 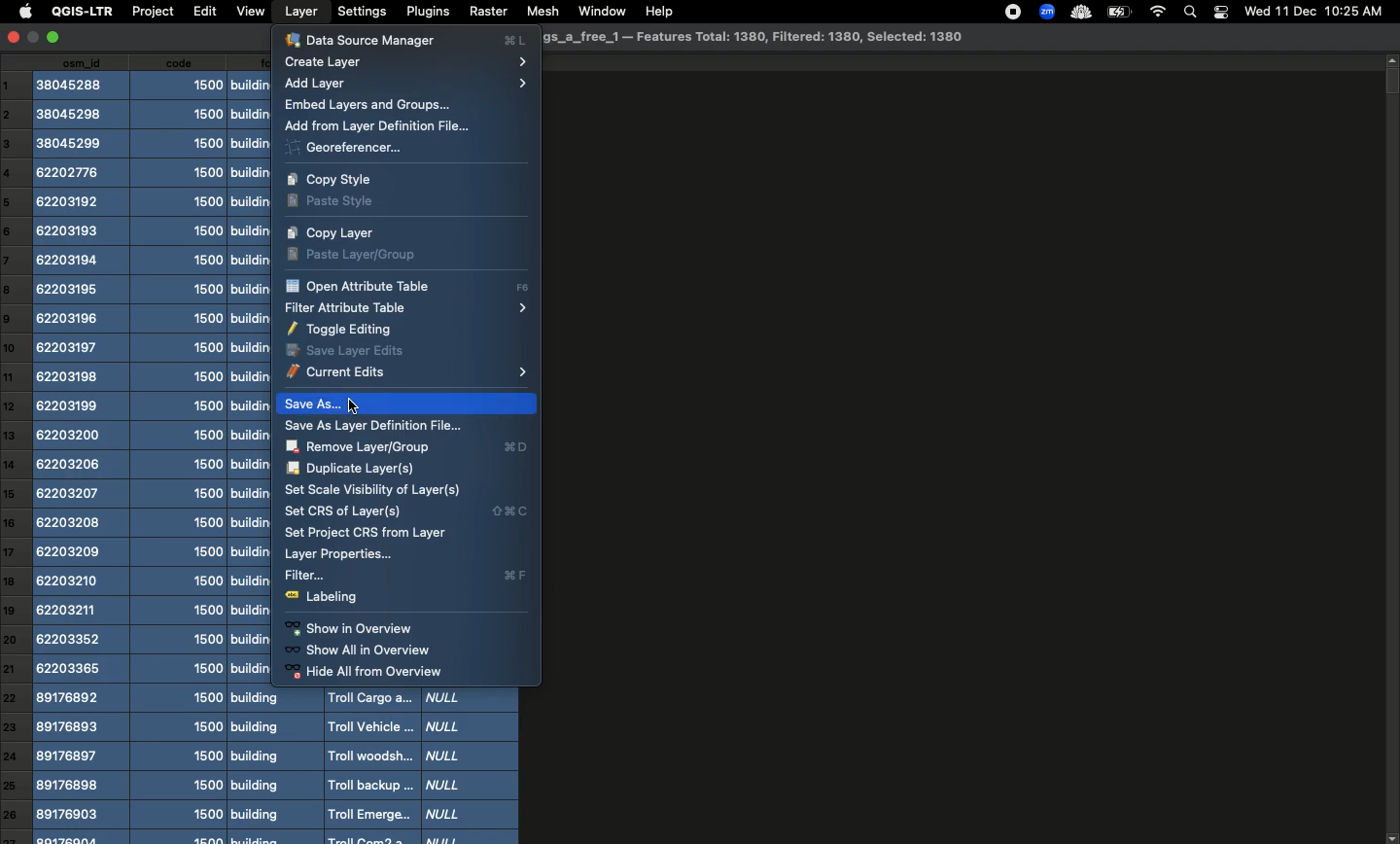 What do you see at coordinates (56, 38) in the screenshot?
I see `Maximize` at bounding box center [56, 38].